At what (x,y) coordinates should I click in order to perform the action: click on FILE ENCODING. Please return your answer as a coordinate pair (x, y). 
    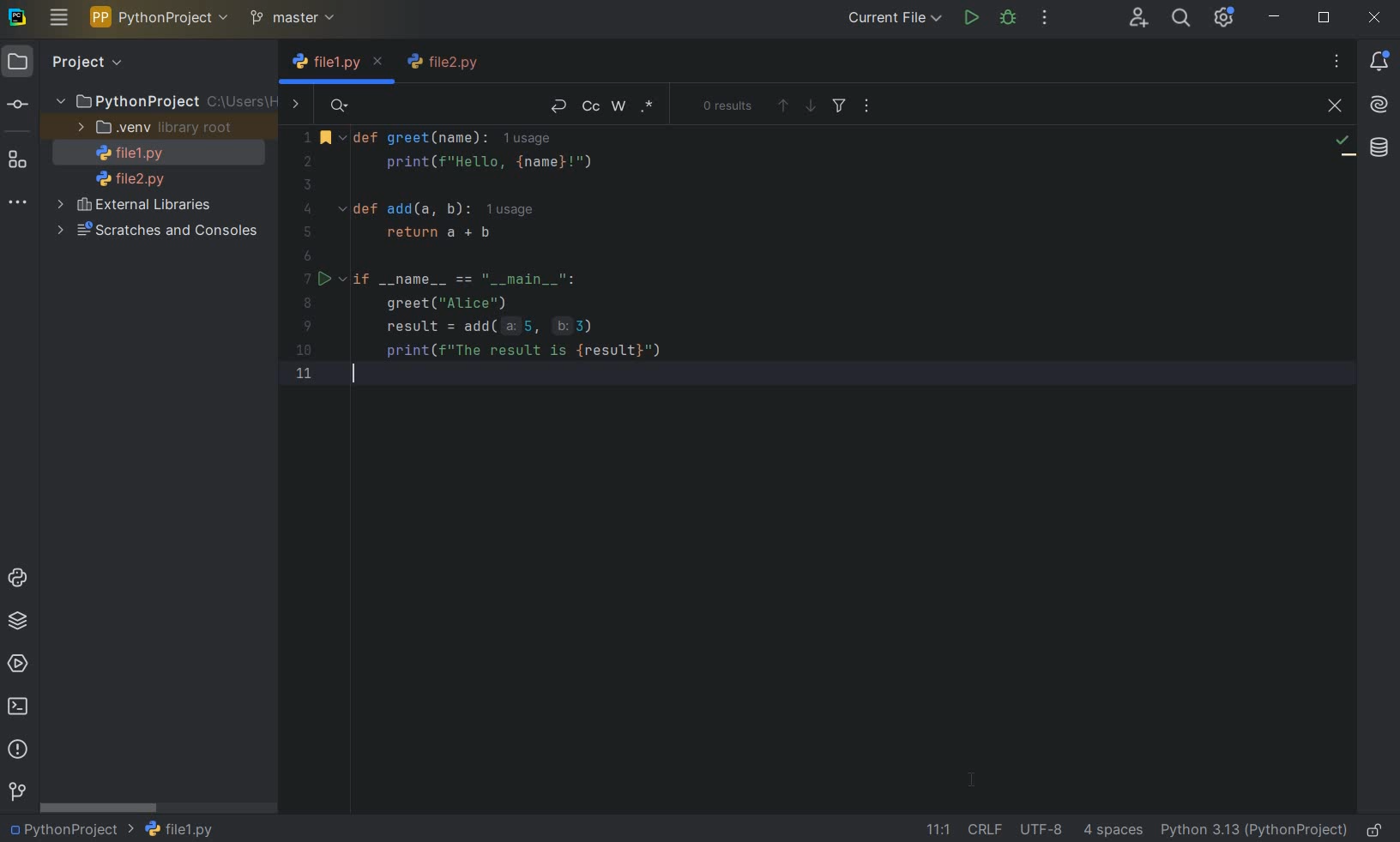
    Looking at the image, I should click on (1038, 829).